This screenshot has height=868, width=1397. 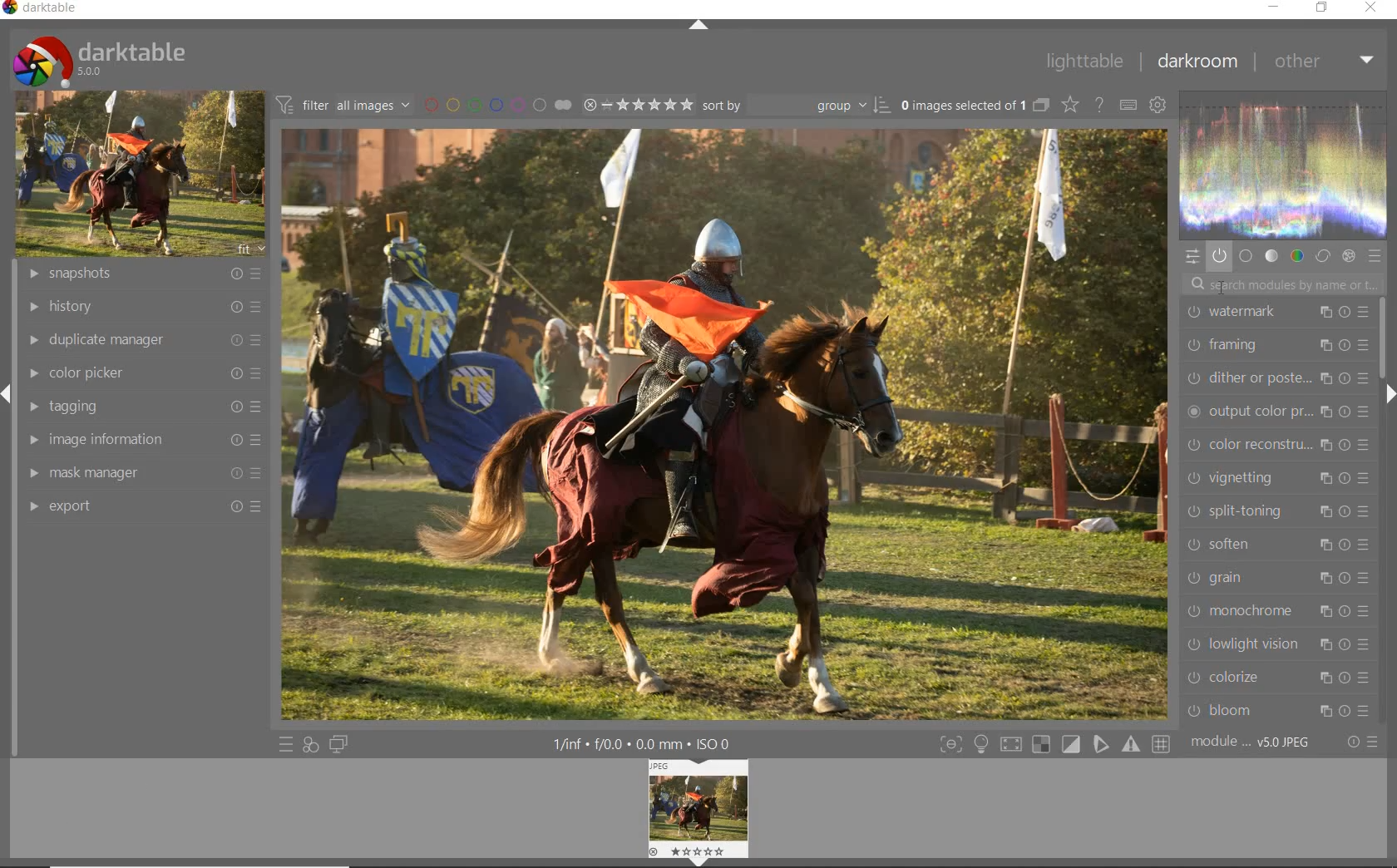 What do you see at coordinates (1322, 7) in the screenshot?
I see `restore` at bounding box center [1322, 7].